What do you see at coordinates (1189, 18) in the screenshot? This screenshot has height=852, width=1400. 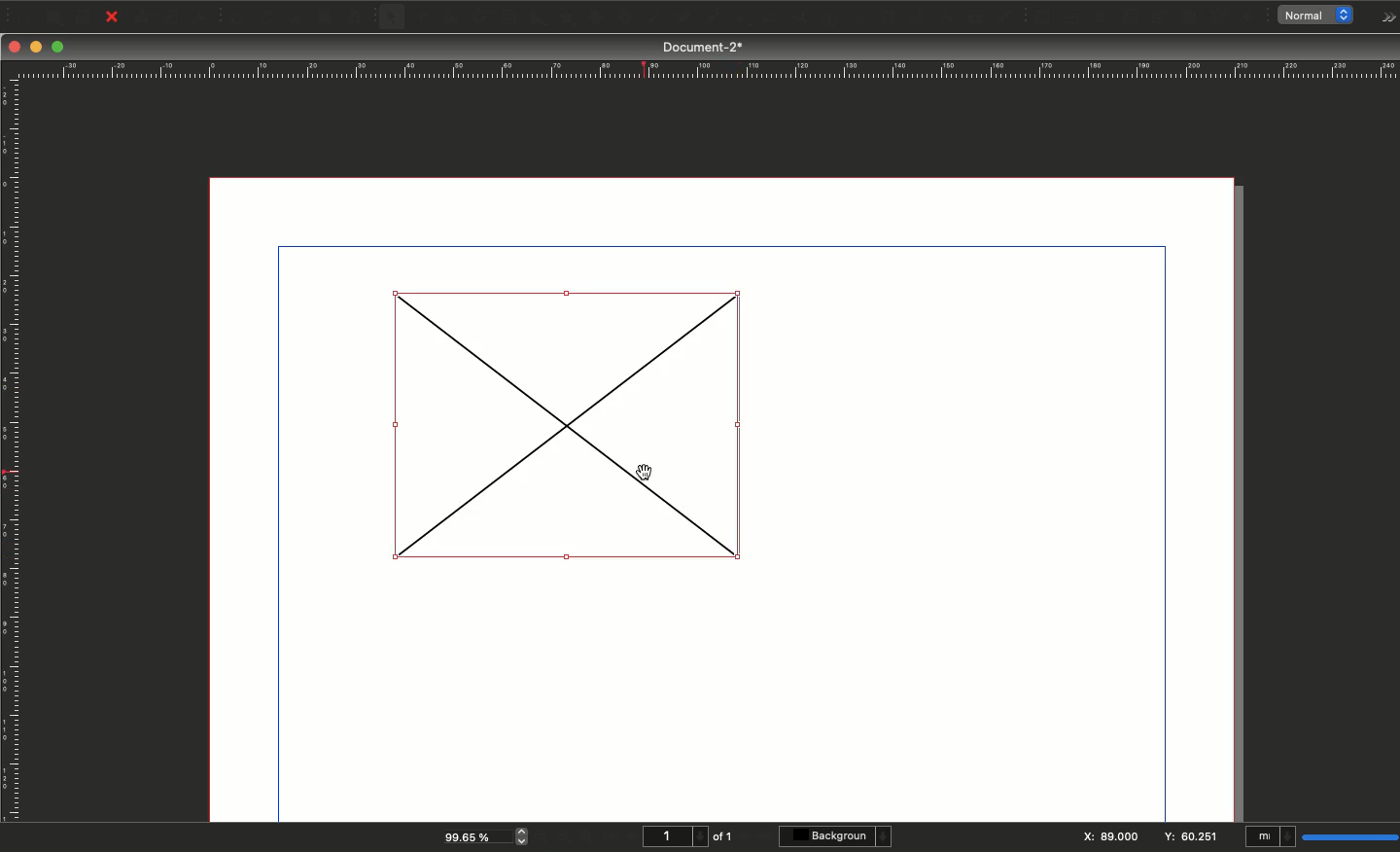 I see `PDF list box` at bounding box center [1189, 18].